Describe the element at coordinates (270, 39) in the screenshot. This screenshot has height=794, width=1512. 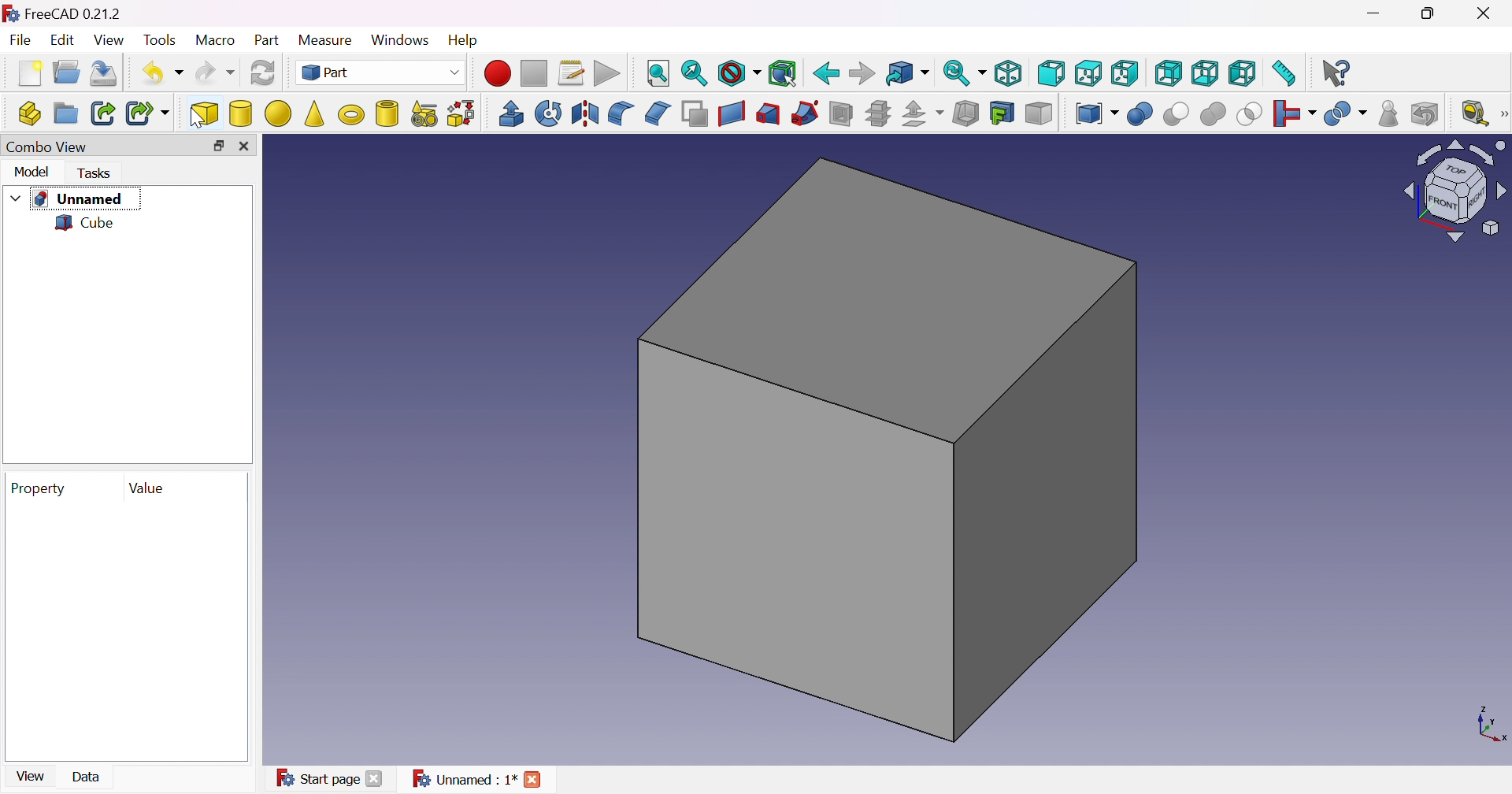
I see `Part` at that location.